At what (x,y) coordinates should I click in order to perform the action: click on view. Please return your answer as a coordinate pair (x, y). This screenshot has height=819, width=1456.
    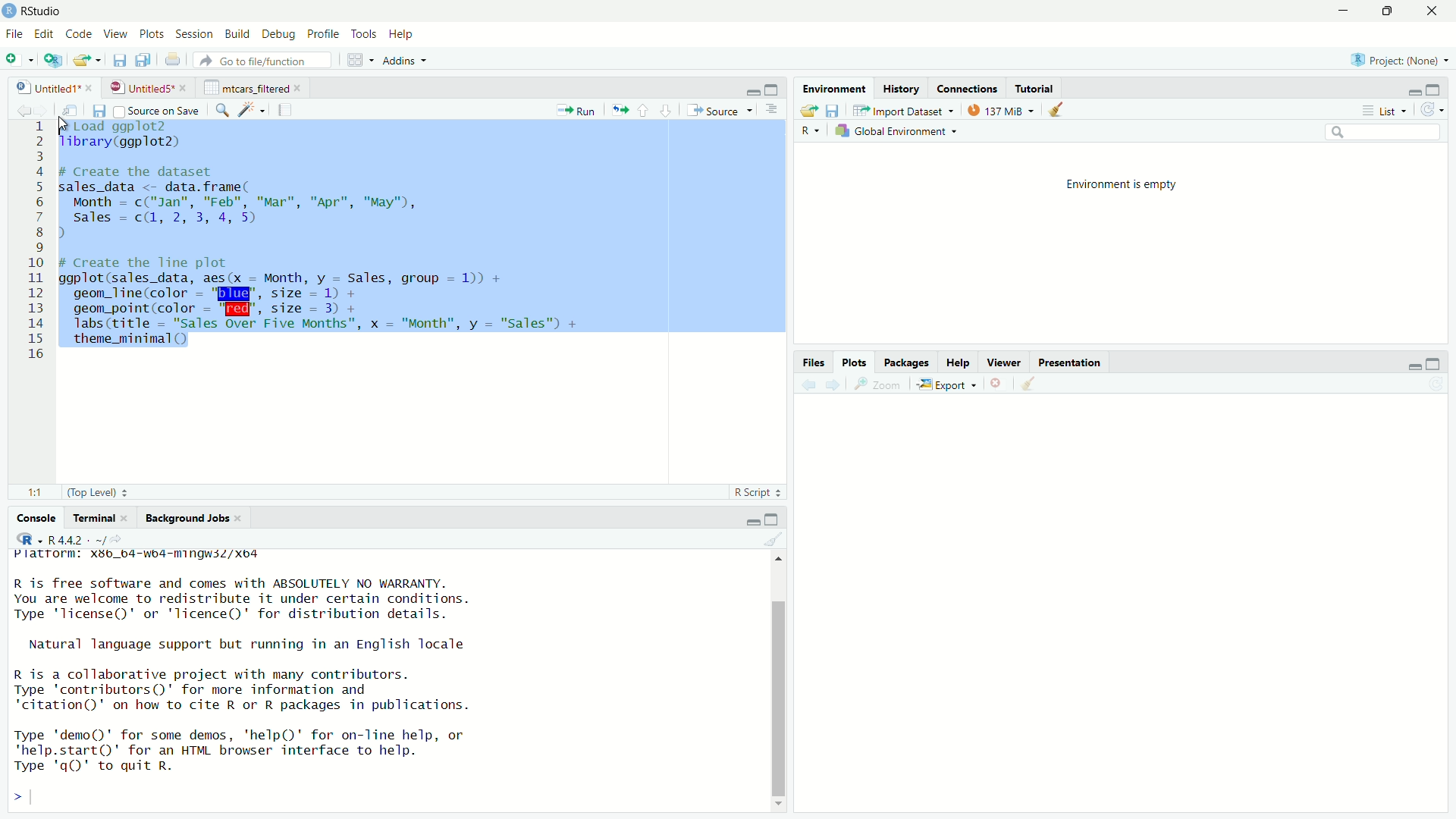
    Looking at the image, I should click on (115, 34).